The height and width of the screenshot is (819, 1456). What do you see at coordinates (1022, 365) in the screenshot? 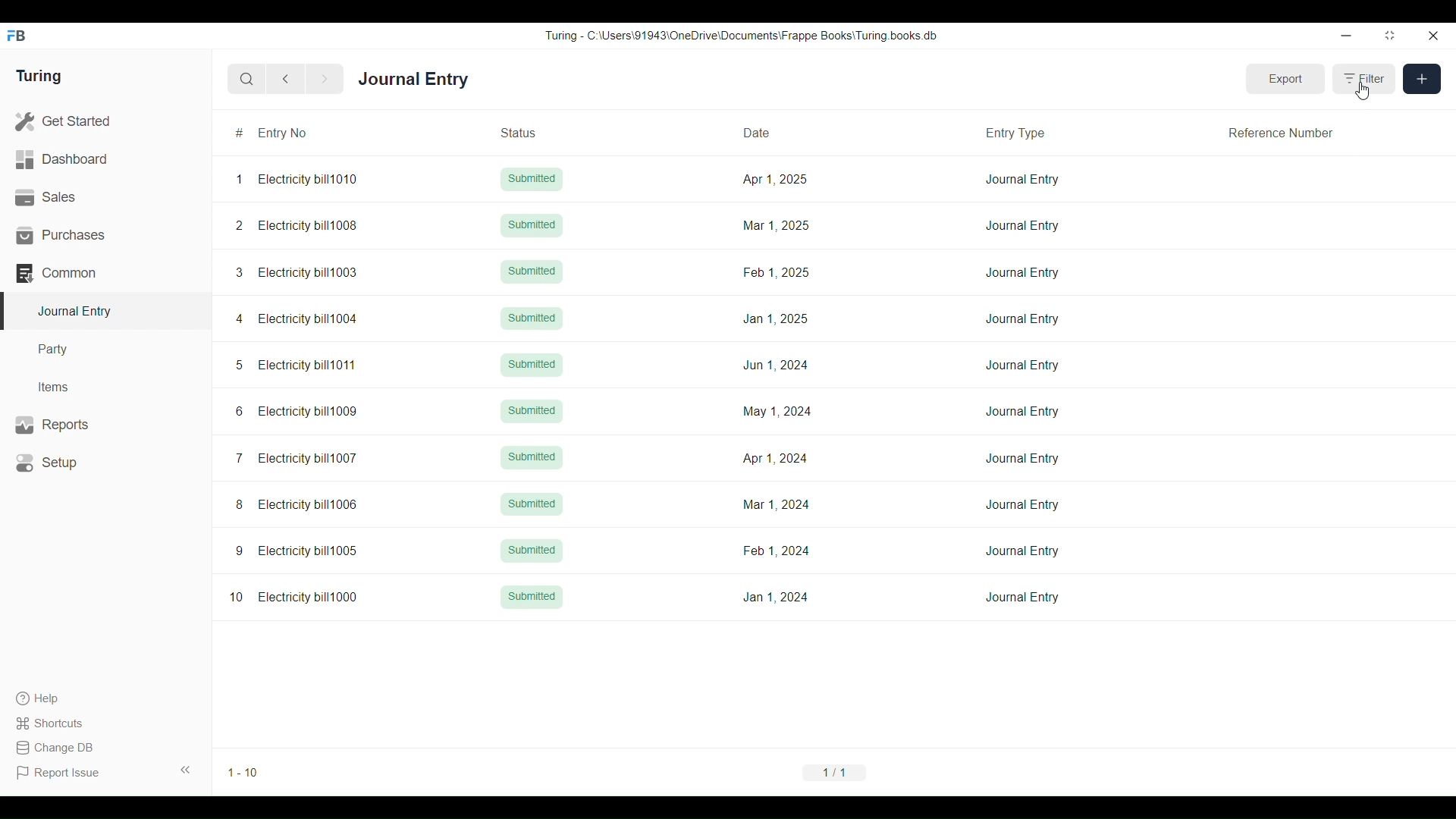
I see `Journal Entry` at bounding box center [1022, 365].